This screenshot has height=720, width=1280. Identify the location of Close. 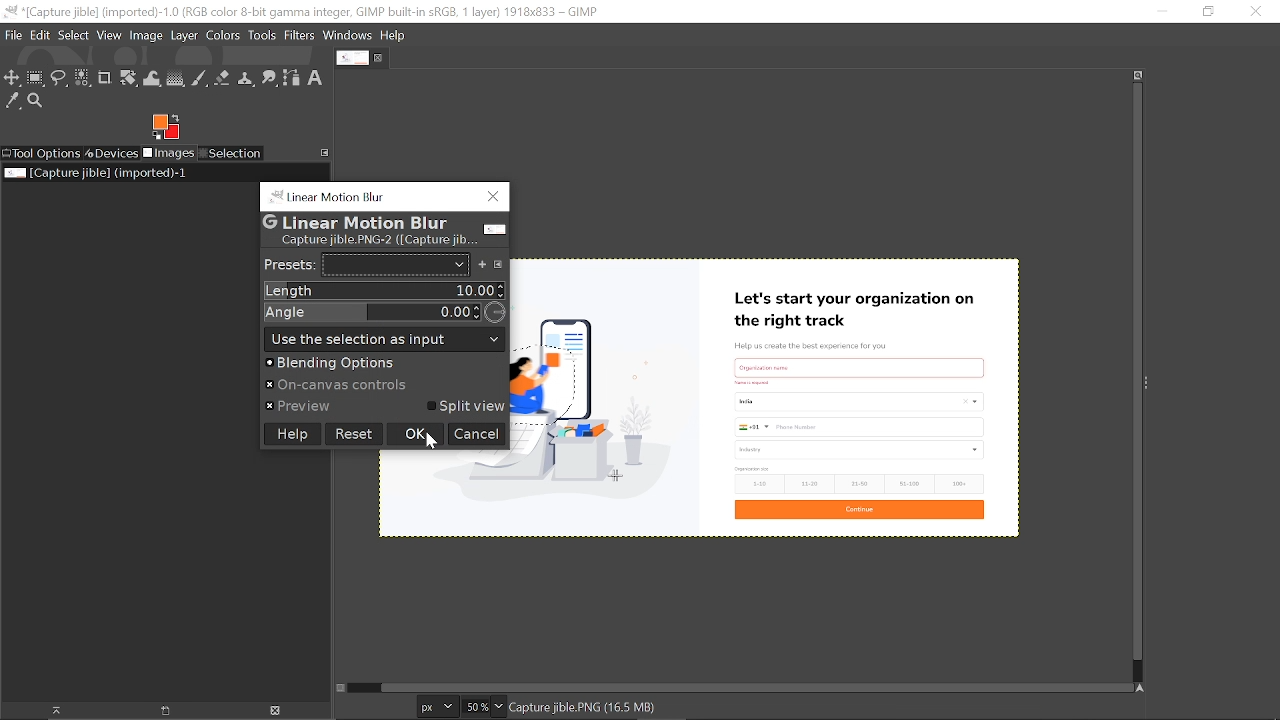
(492, 199).